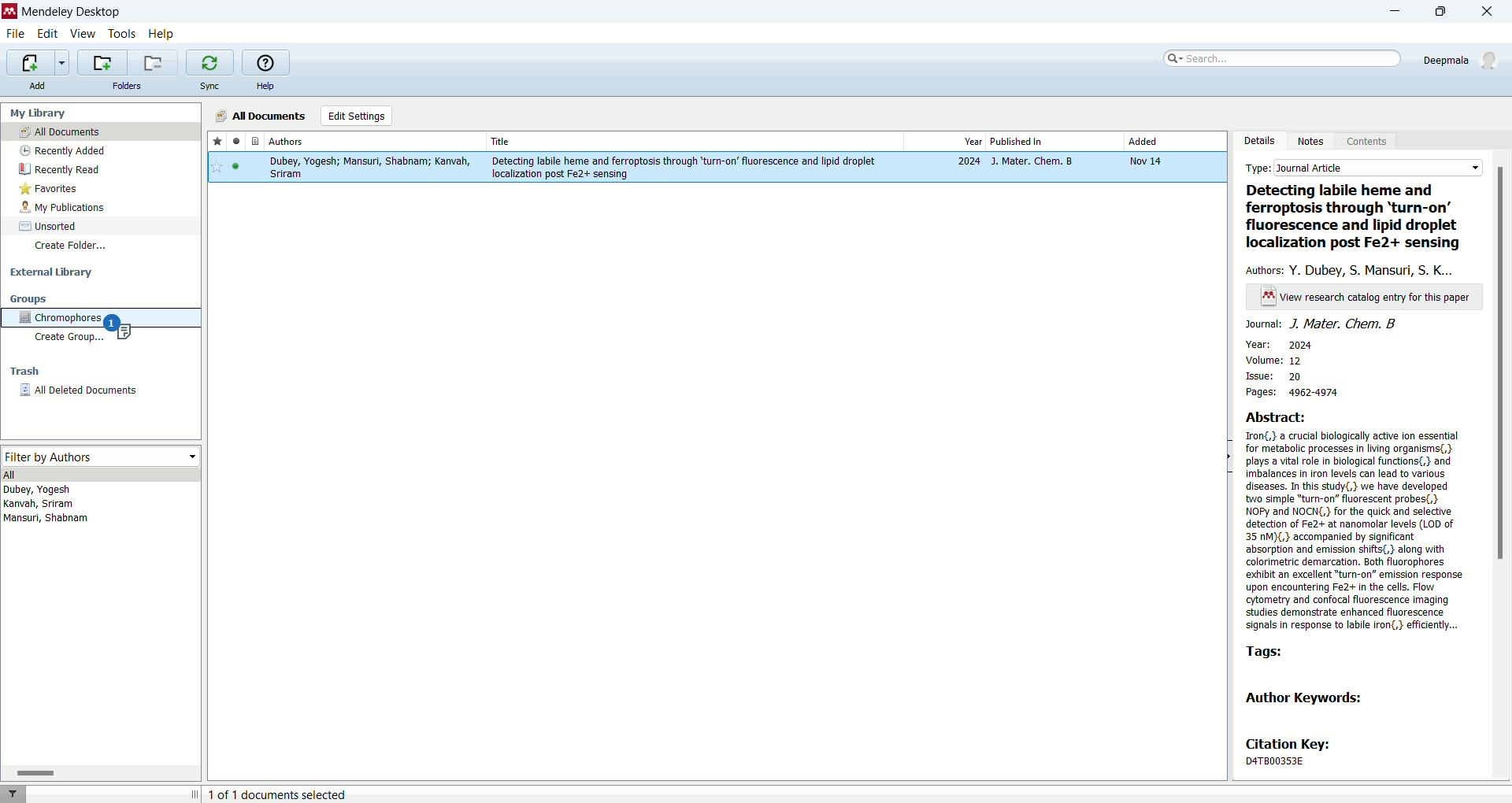  I want to click on published in, so click(1053, 142).